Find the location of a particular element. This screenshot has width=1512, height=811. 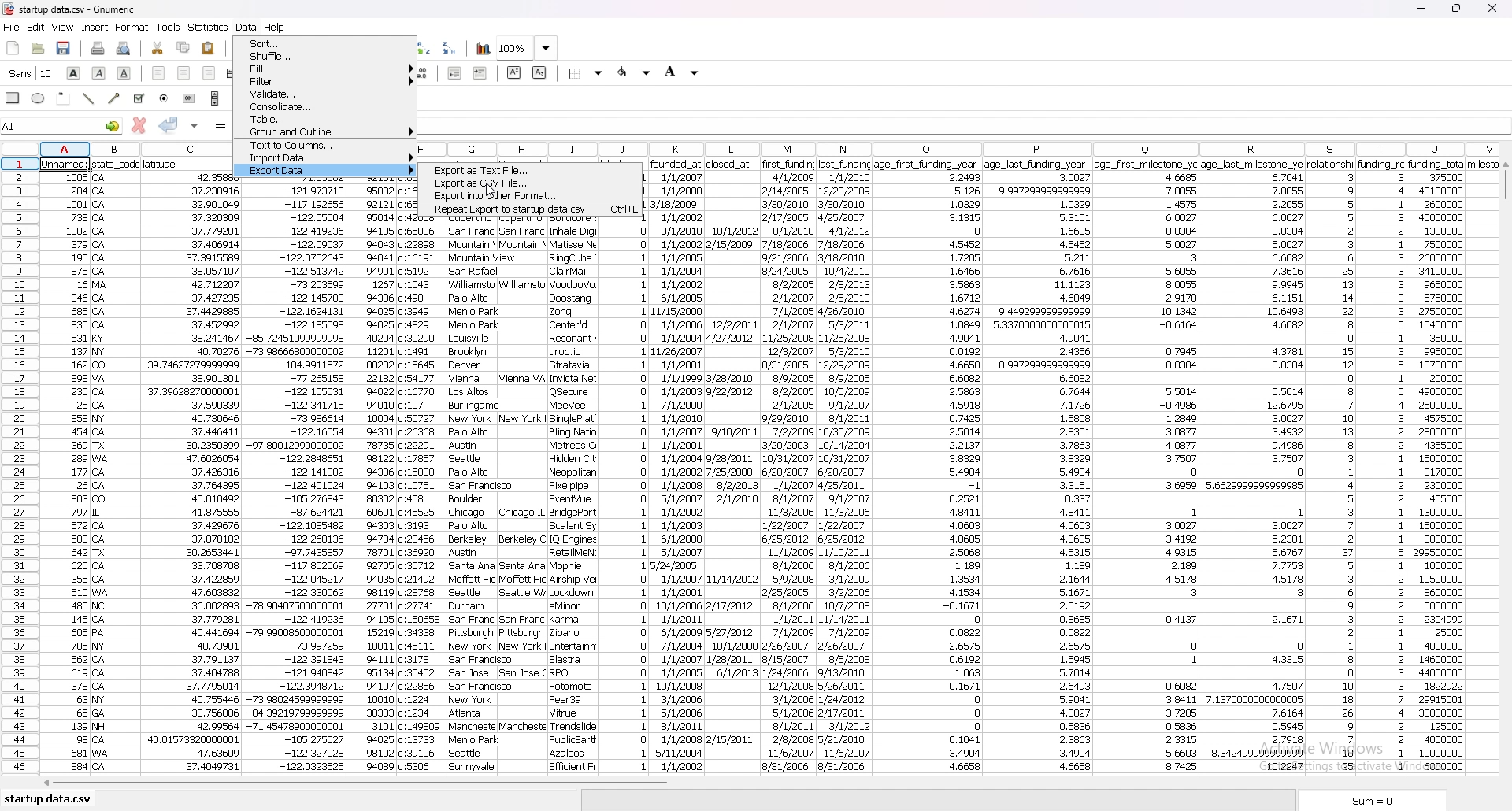

decrease decimals is located at coordinates (421, 73).